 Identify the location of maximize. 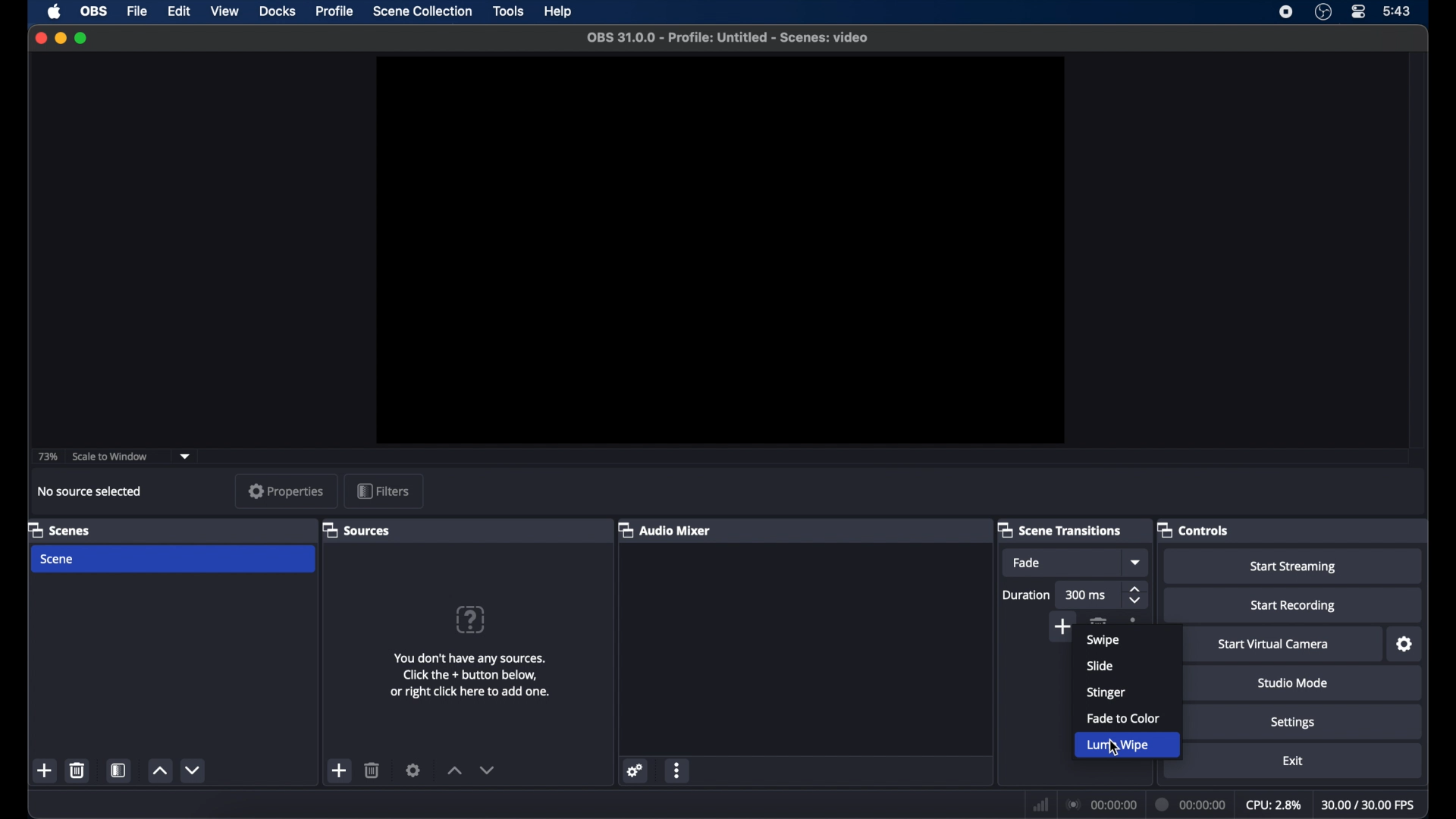
(83, 38).